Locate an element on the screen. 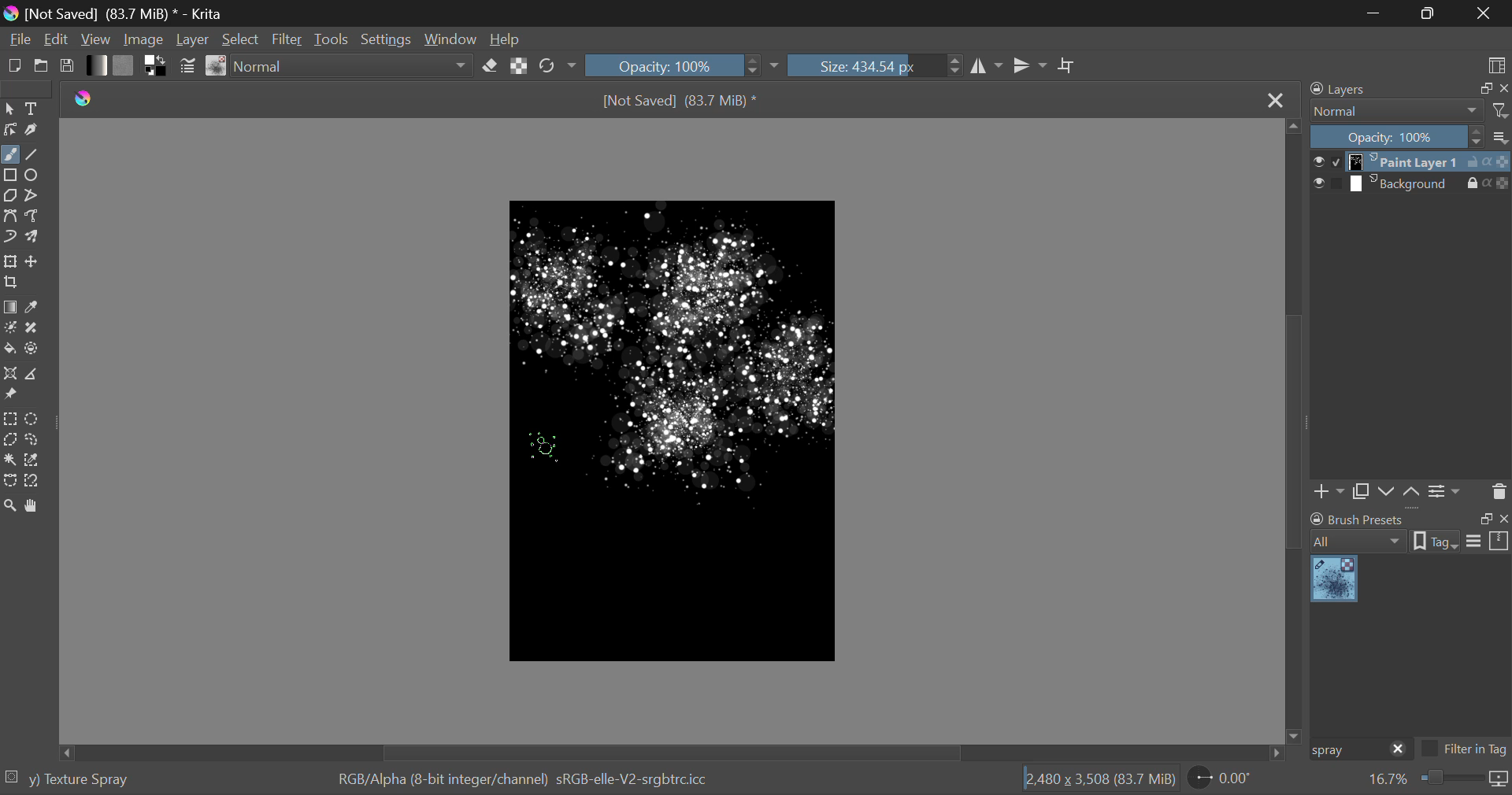 The image size is (1512, 795). y) Texture Spray is located at coordinates (79, 780).